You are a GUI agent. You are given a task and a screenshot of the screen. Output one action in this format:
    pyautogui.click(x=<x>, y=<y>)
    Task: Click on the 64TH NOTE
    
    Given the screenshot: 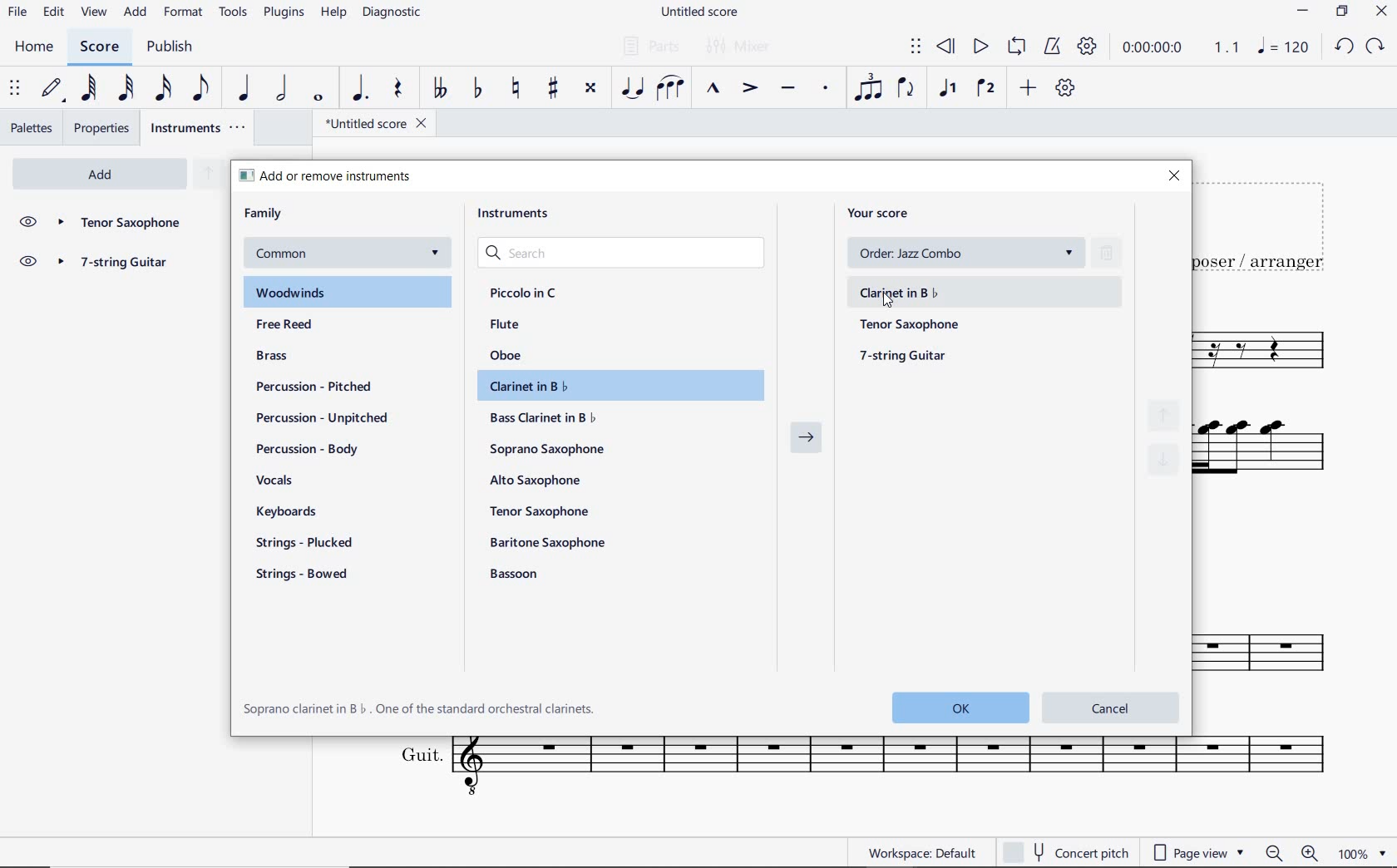 What is the action you would take?
    pyautogui.click(x=87, y=87)
    